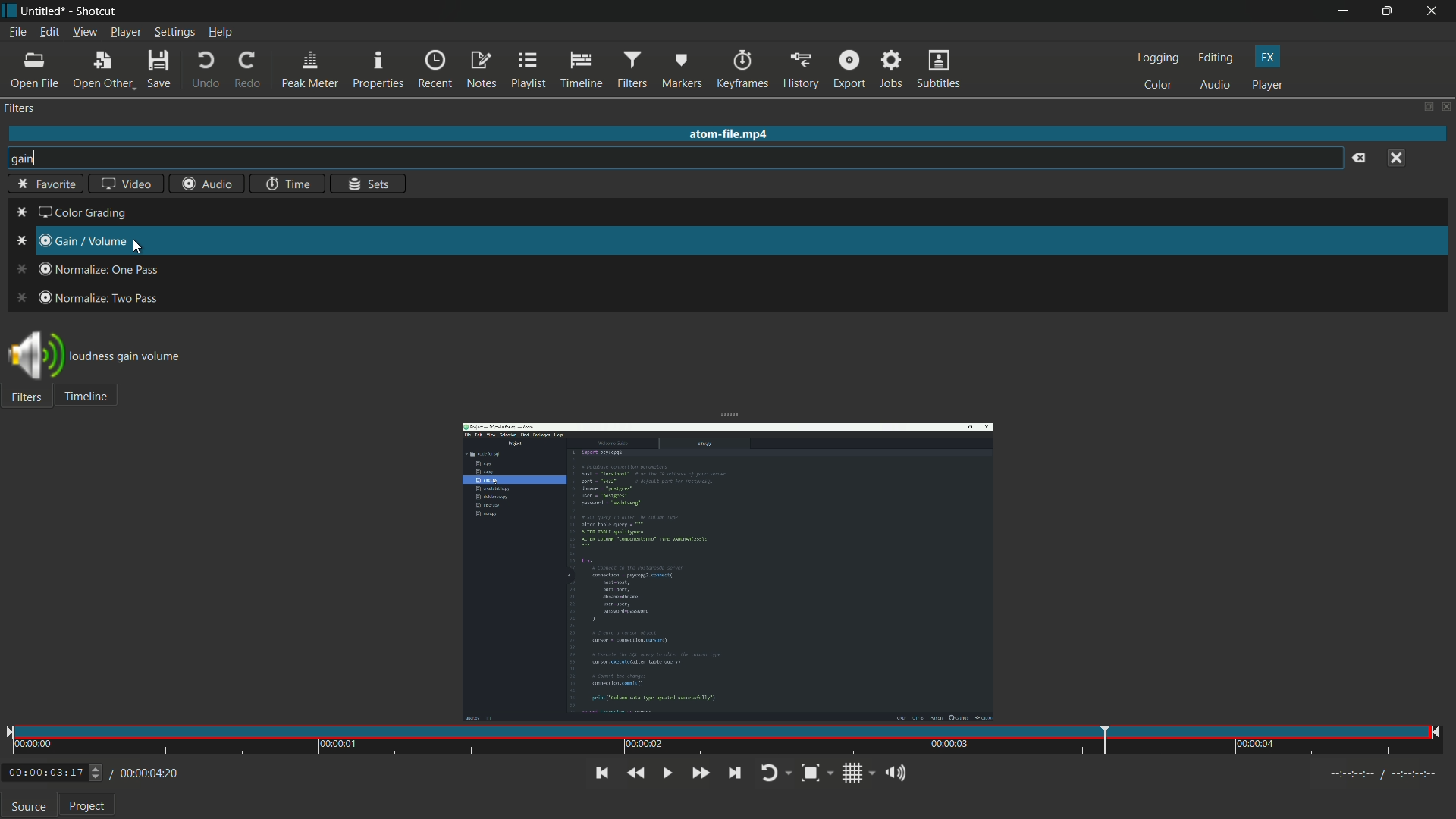 This screenshot has width=1456, height=819. I want to click on filters, so click(632, 71).